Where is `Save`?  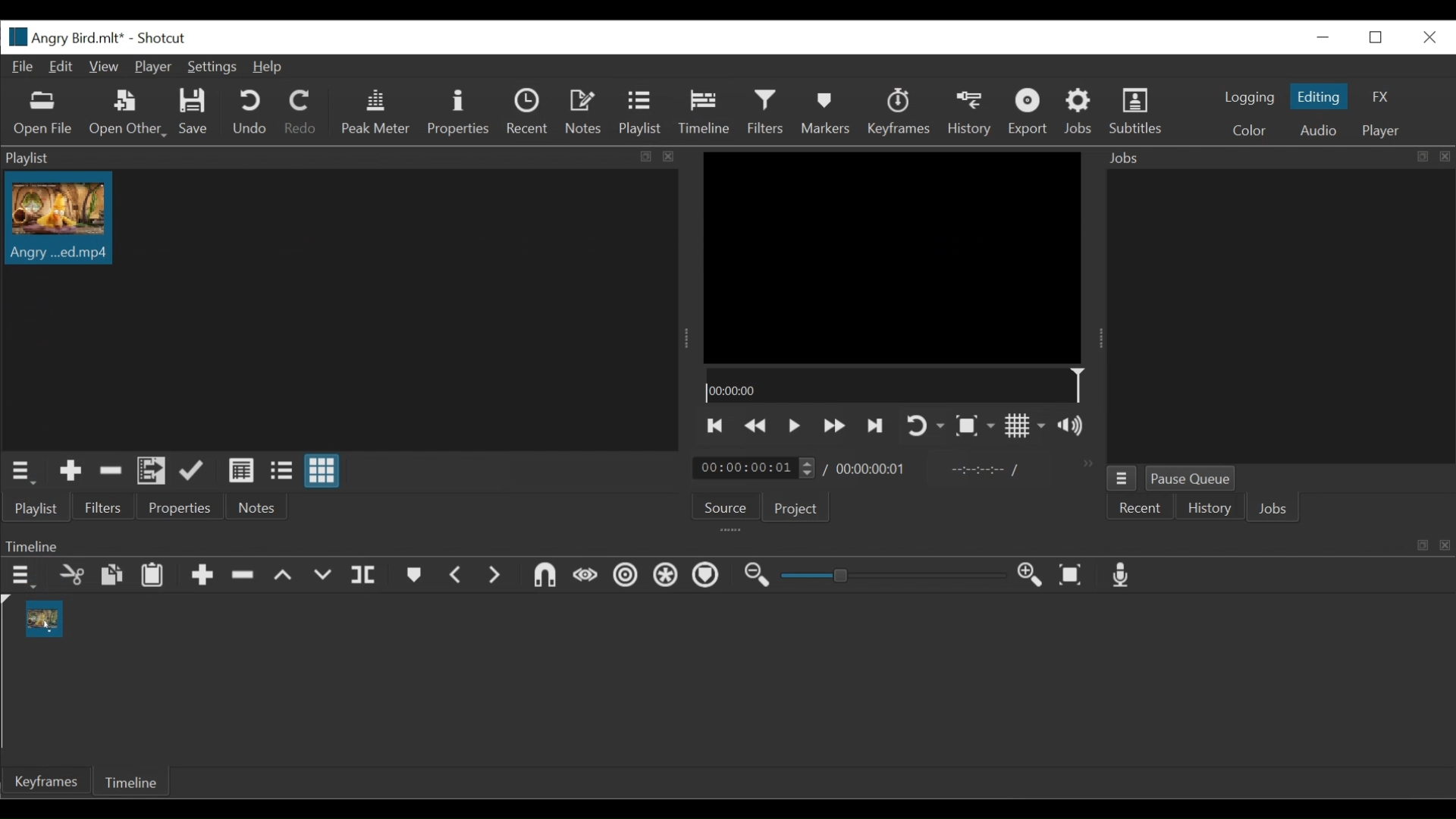 Save is located at coordinates (194, 111).